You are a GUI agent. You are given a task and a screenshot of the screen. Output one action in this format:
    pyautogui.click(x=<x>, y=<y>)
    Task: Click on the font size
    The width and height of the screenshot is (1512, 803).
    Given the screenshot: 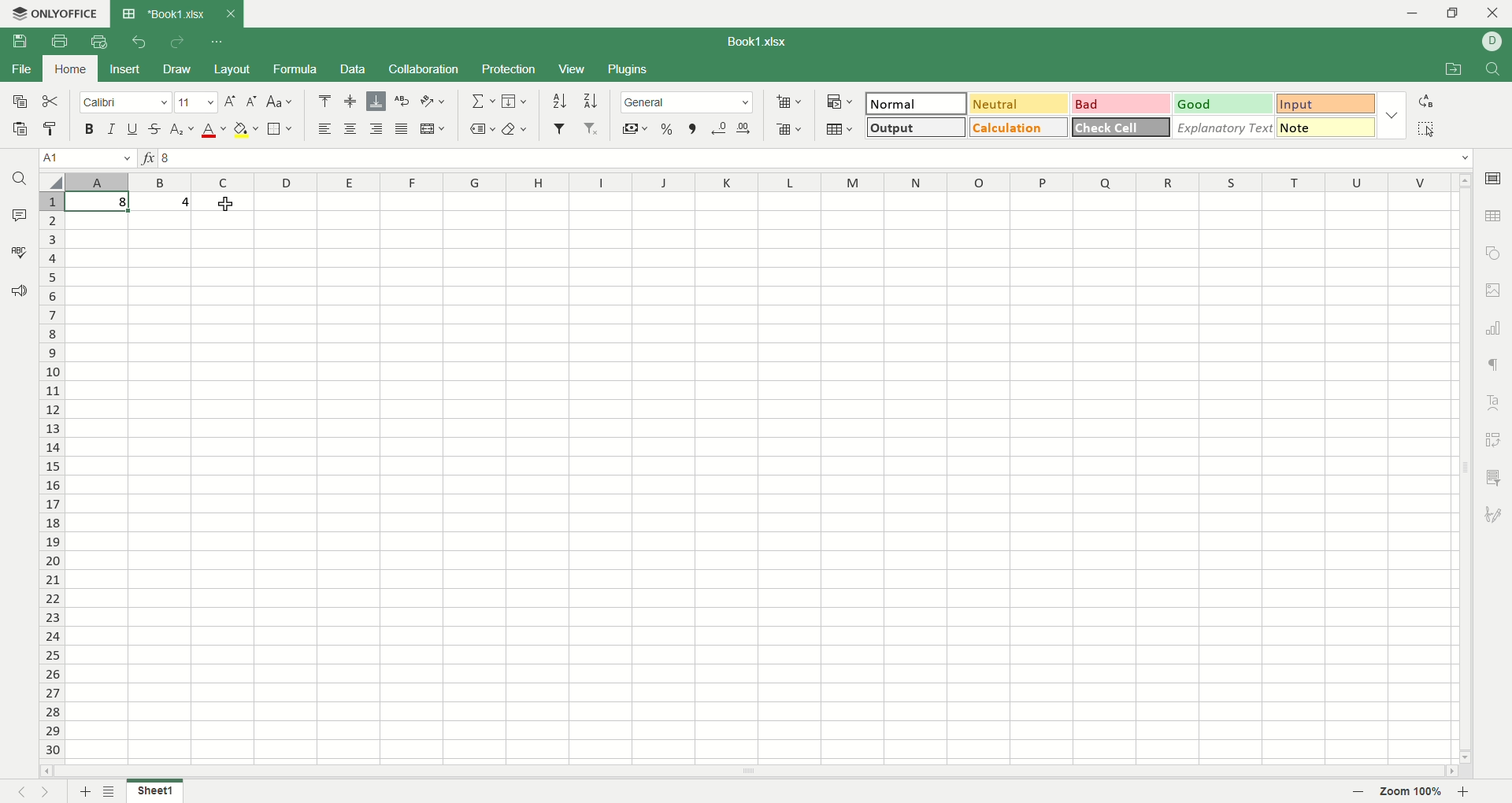 What is the action you would take?
    pyautogui.click(x=197, y=102)
    